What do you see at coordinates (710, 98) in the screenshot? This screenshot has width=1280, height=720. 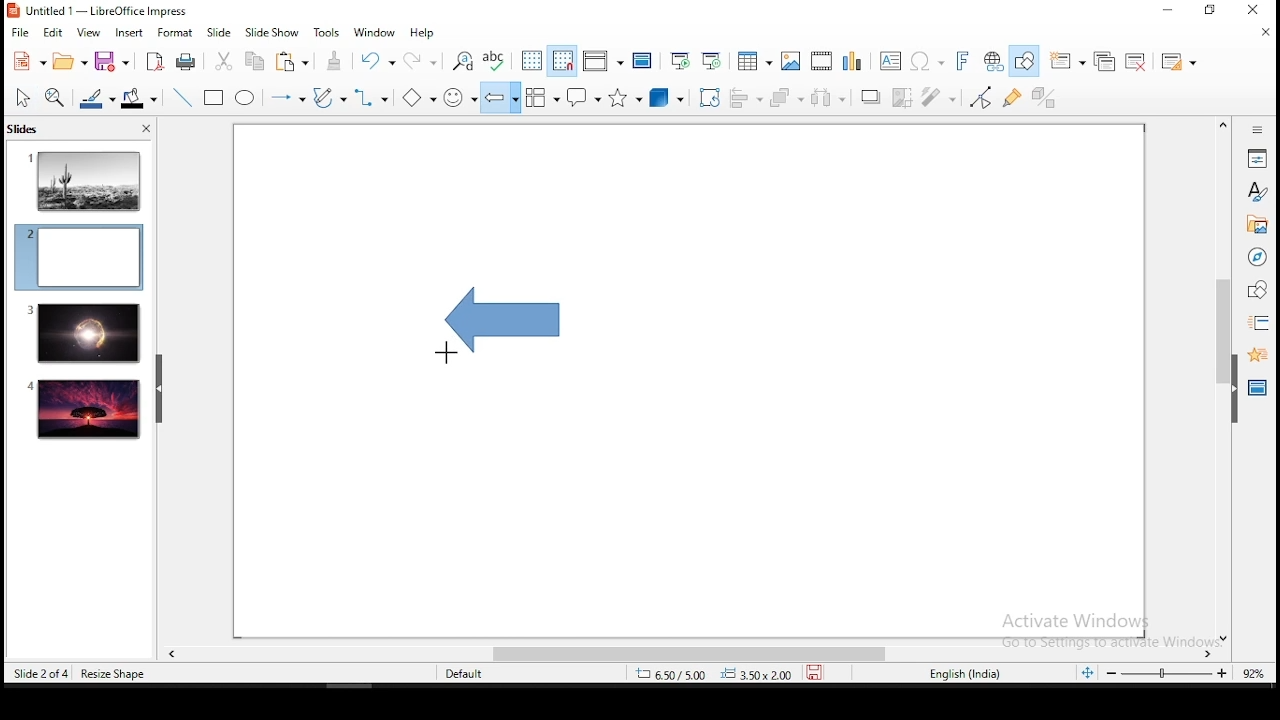 I see `crop tool` at bounding box center [710, 98].